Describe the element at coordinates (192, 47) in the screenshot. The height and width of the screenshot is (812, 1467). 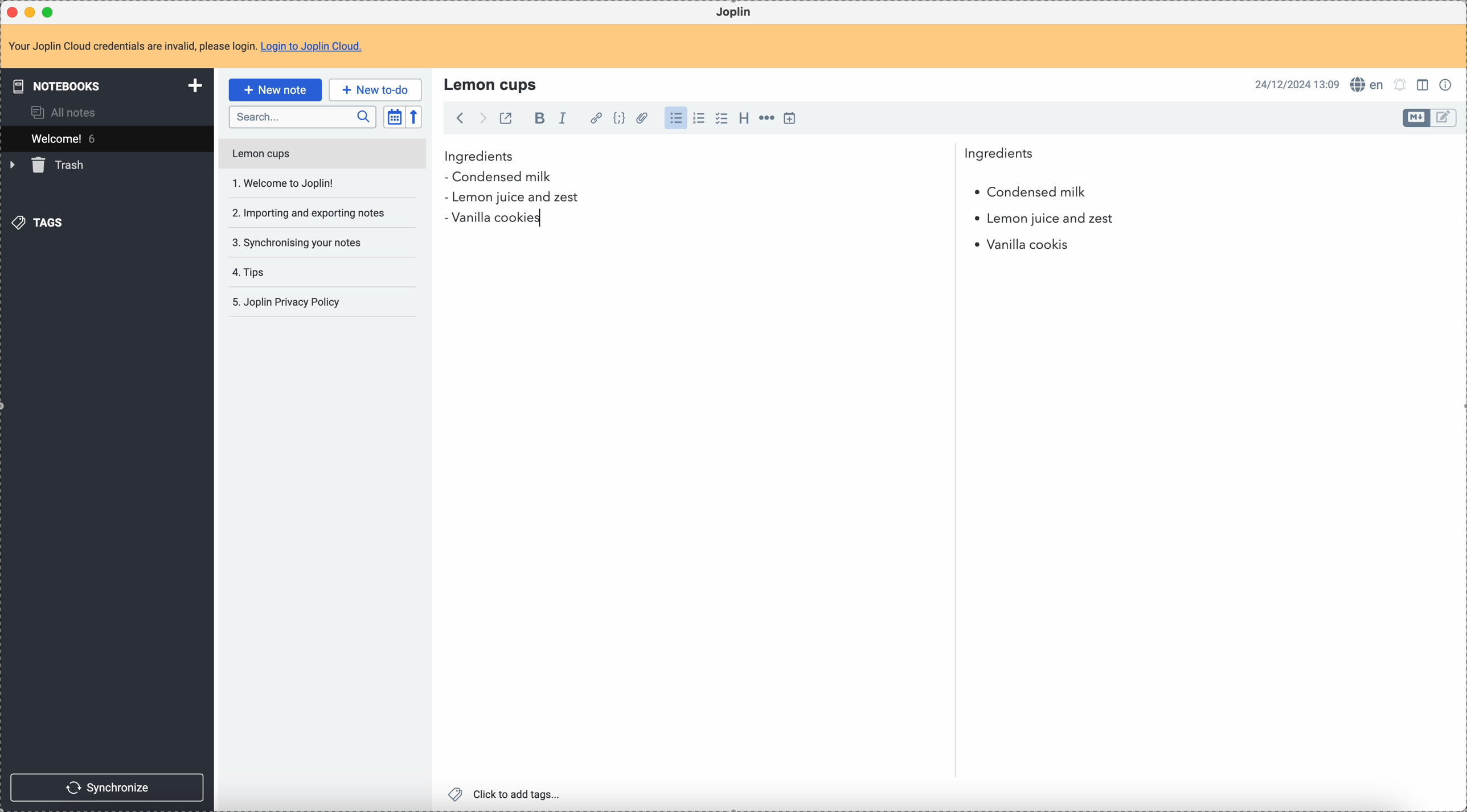
I see `note` at that location.